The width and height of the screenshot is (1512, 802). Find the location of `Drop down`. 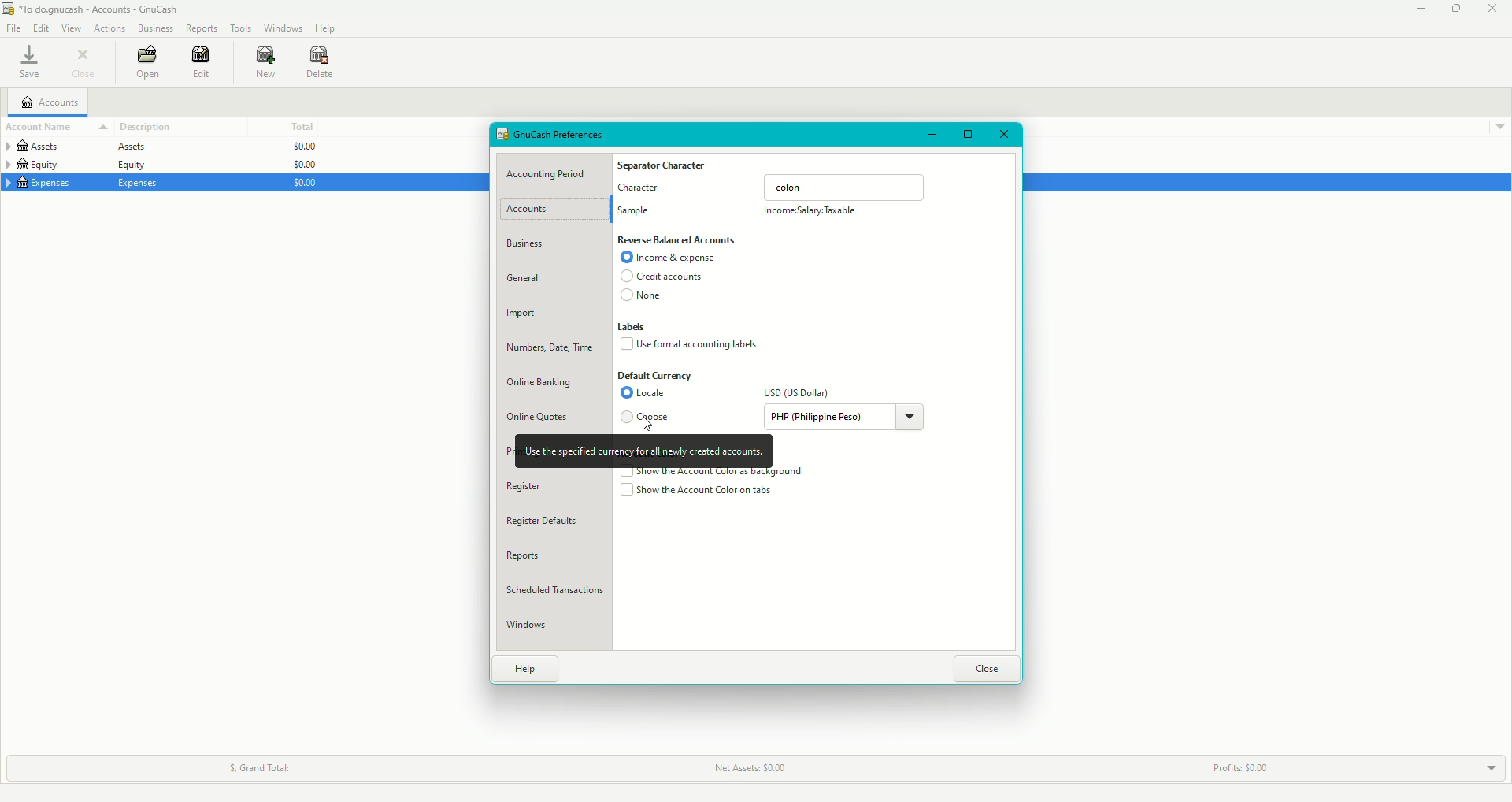

Drop down is located at coordinates (1501, 128).